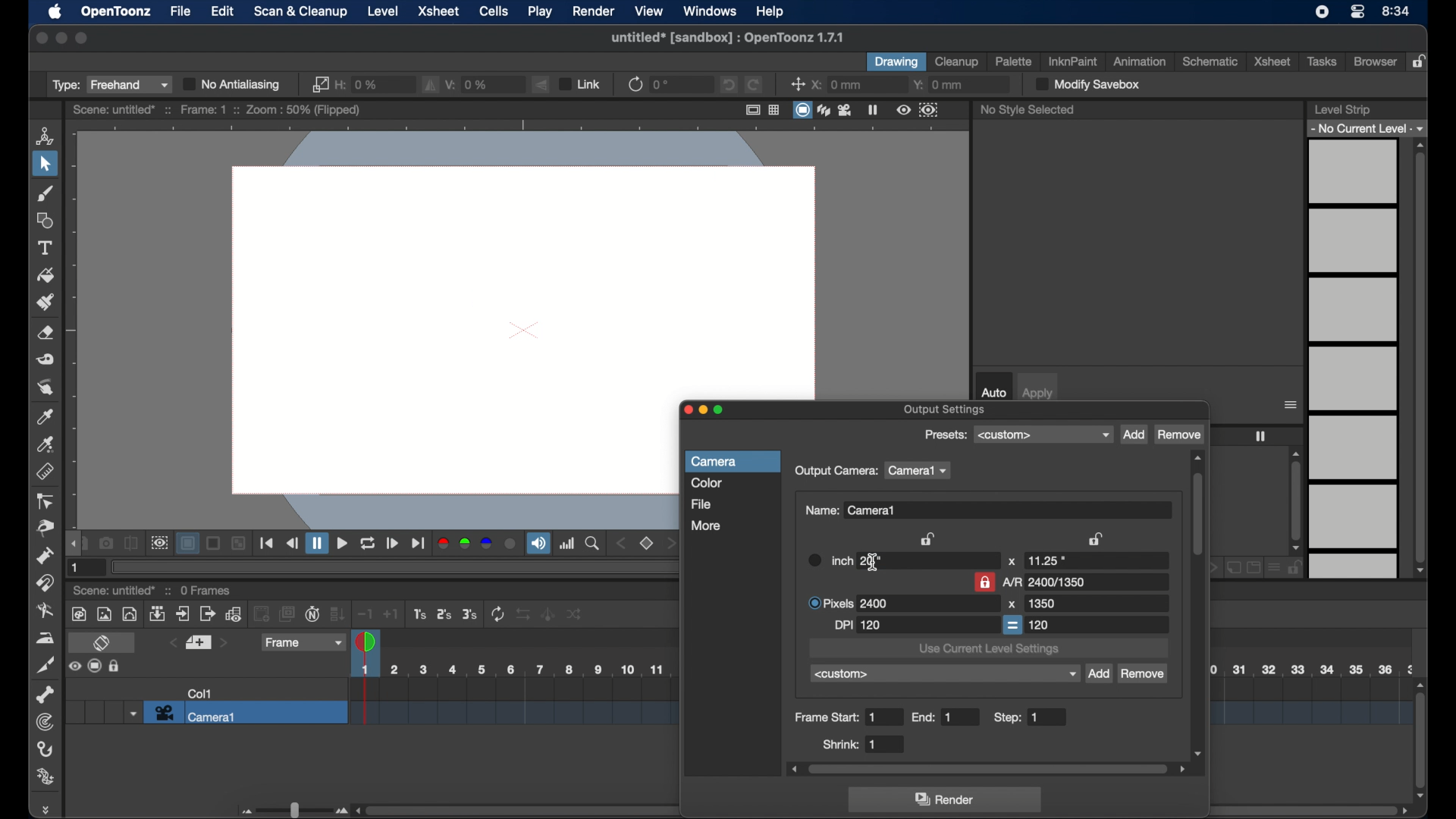 The width and height of the screenshot is (1456, 819). I want to click on , so click(234, 613).